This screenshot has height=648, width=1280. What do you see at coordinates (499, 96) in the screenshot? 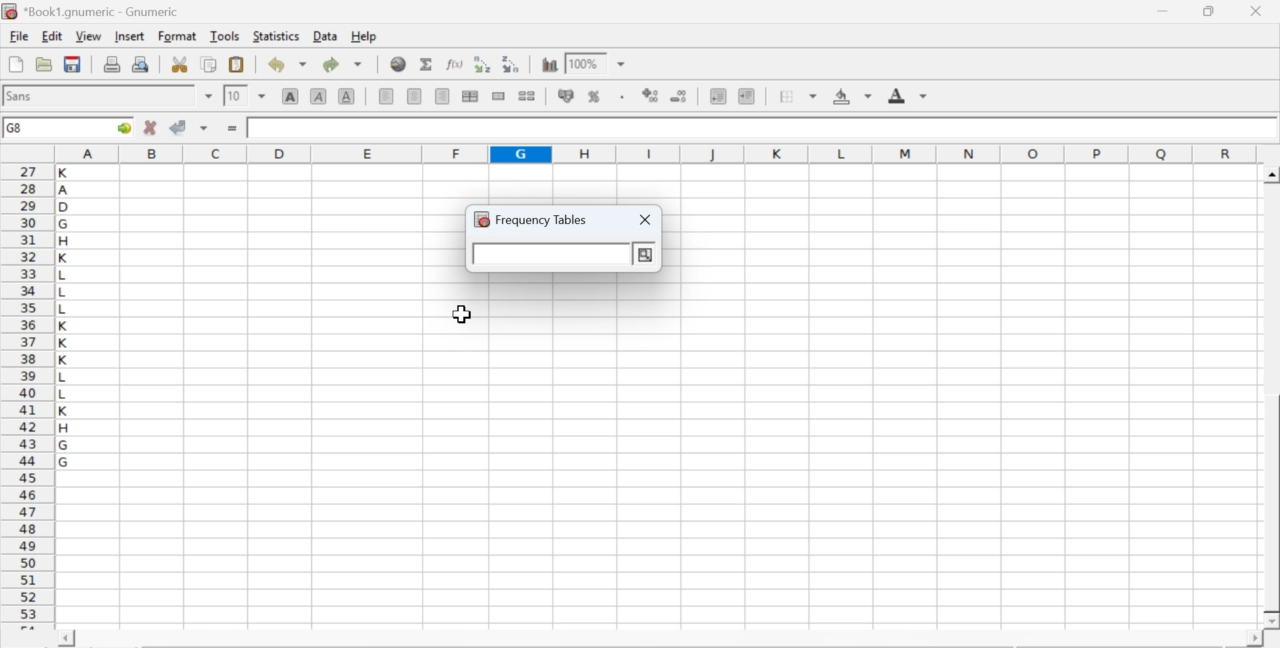
I see `merge a range of cells` at bounding box center [499, 96].